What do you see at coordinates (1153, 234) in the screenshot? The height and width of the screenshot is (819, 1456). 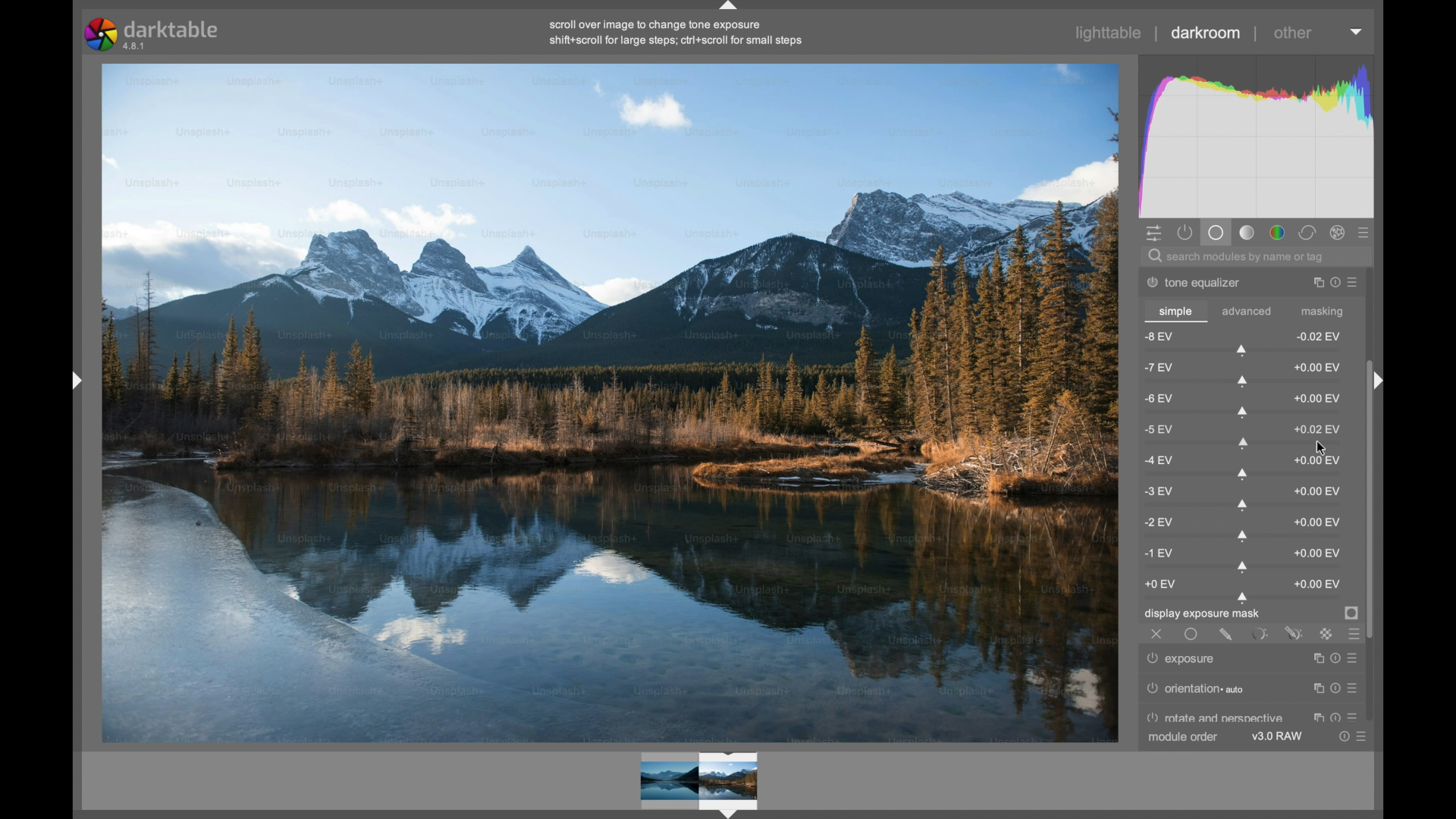 I see `show quick access panel` at bounding box center [1153, 234].